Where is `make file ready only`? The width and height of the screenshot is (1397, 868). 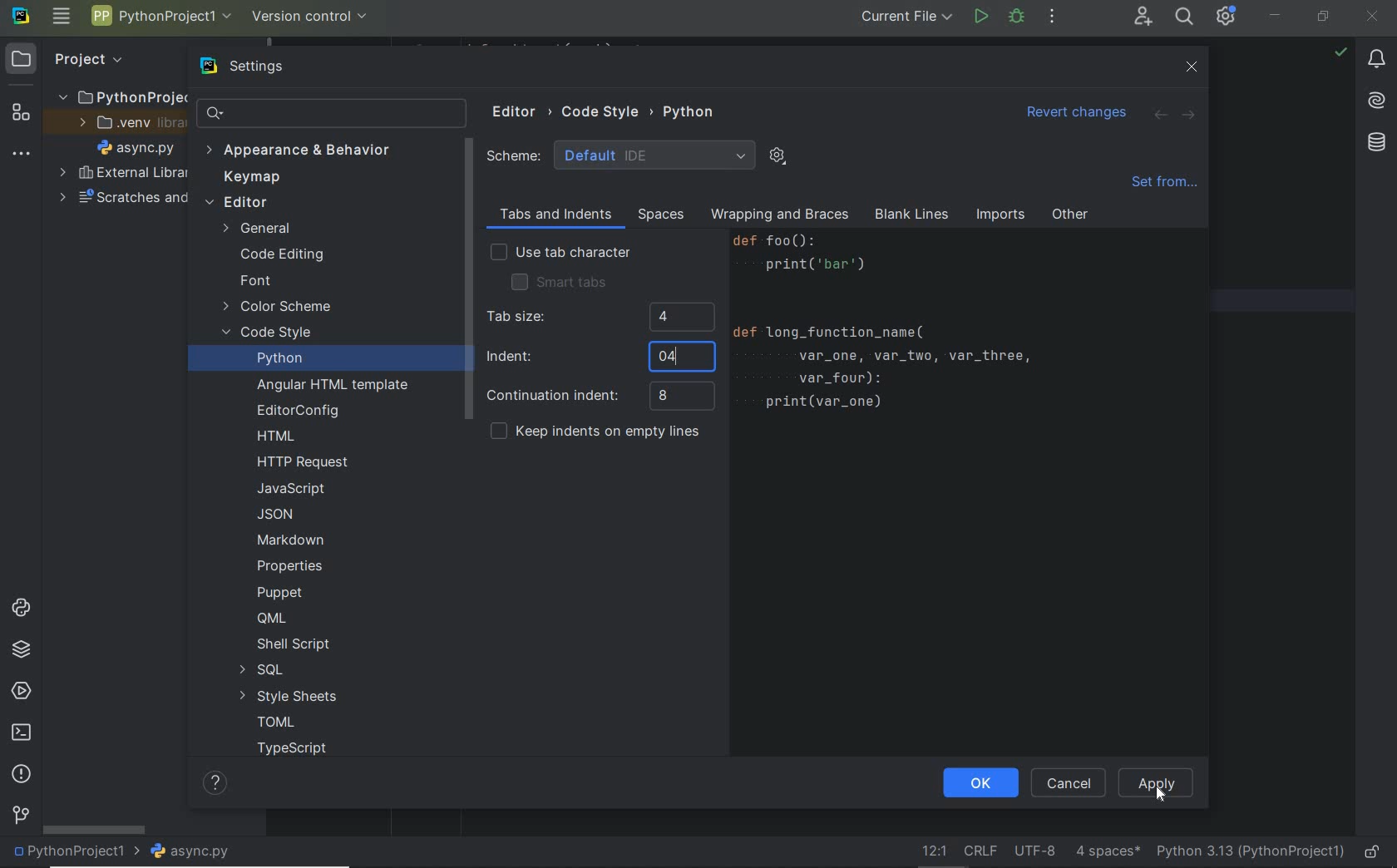
make file ready only is located at coordinates (1375, 853).